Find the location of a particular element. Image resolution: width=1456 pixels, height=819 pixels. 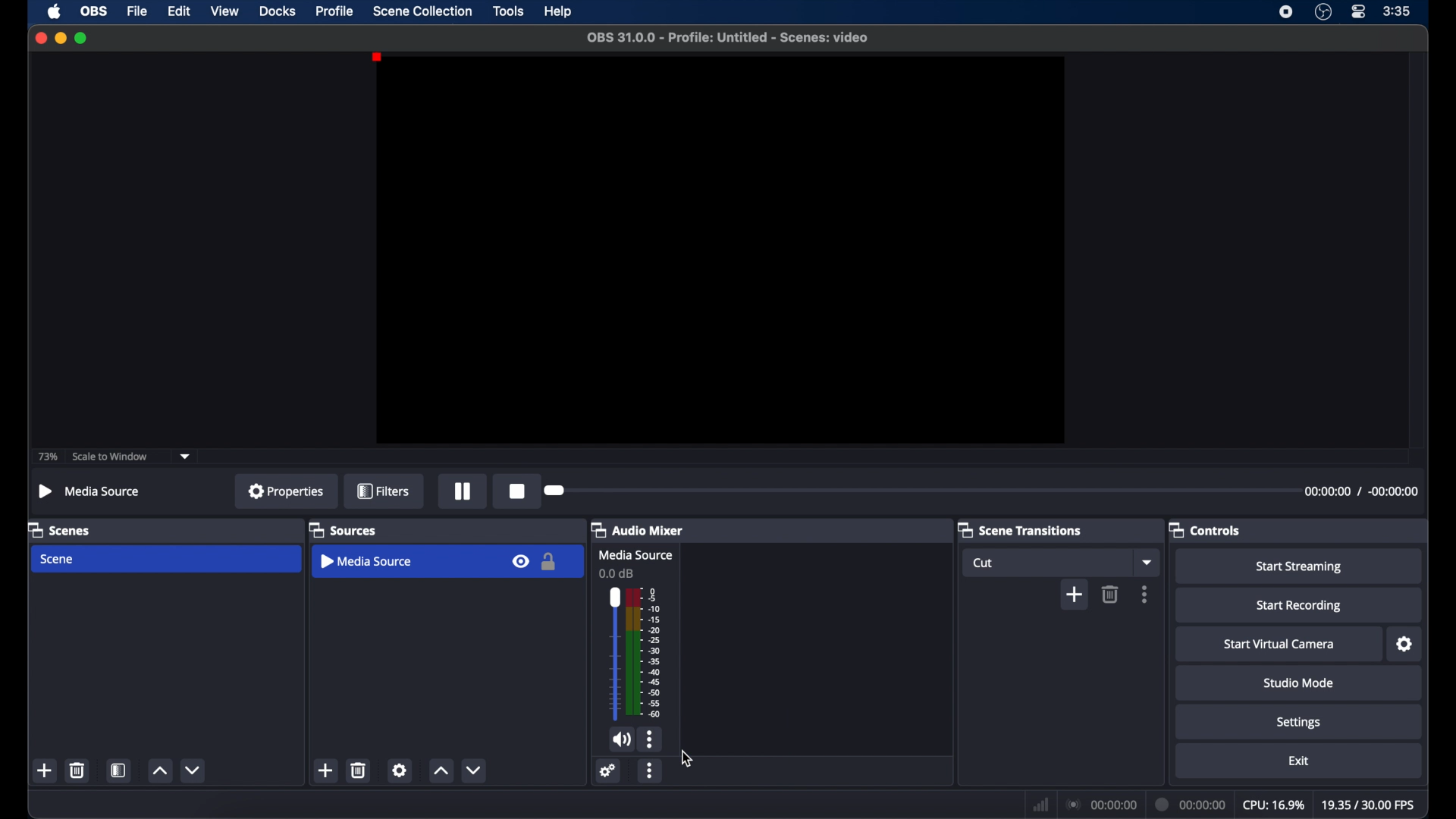

connection is located at coordinates (1100, 803).